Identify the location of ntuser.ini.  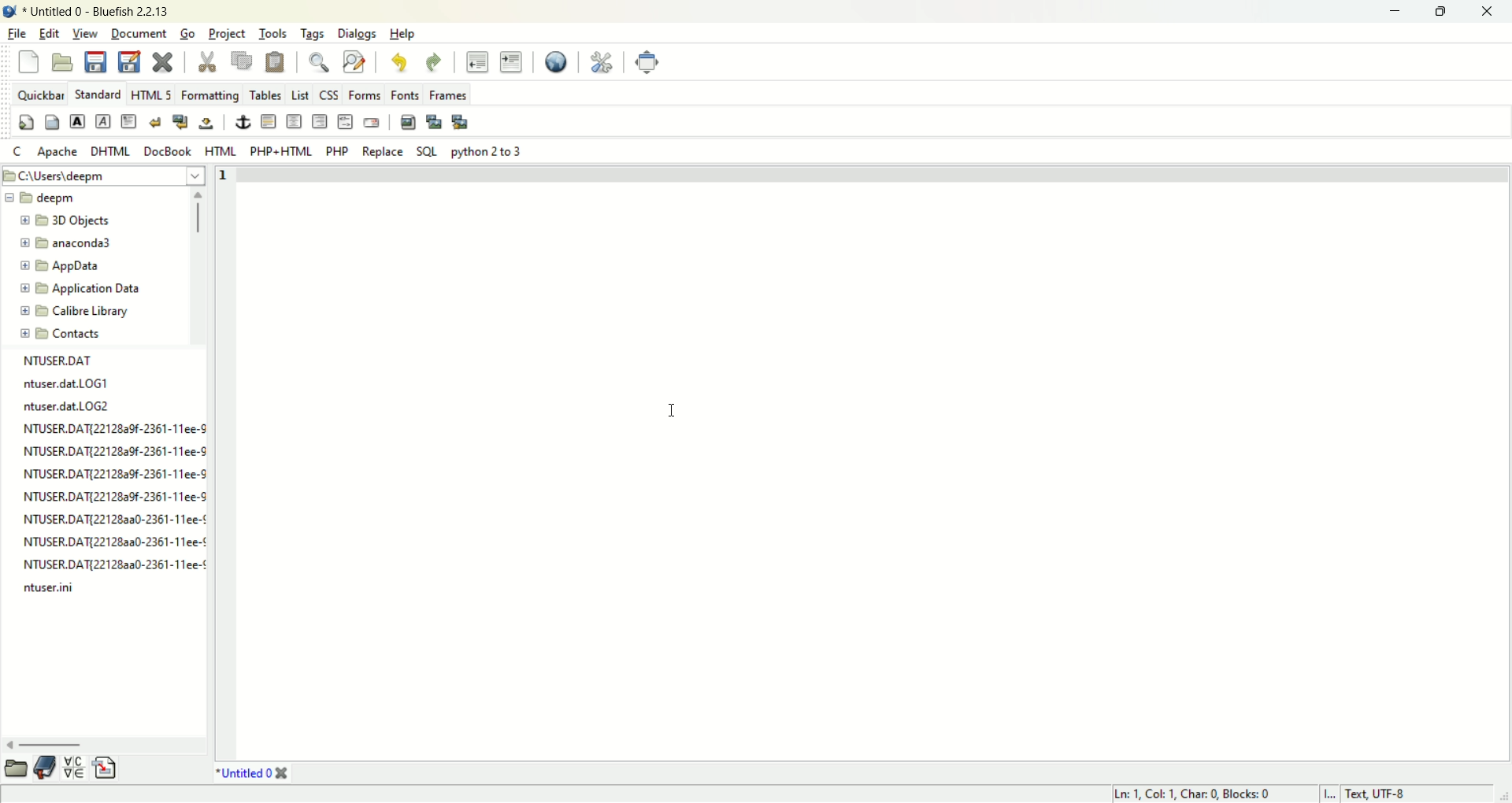
(46, 588).